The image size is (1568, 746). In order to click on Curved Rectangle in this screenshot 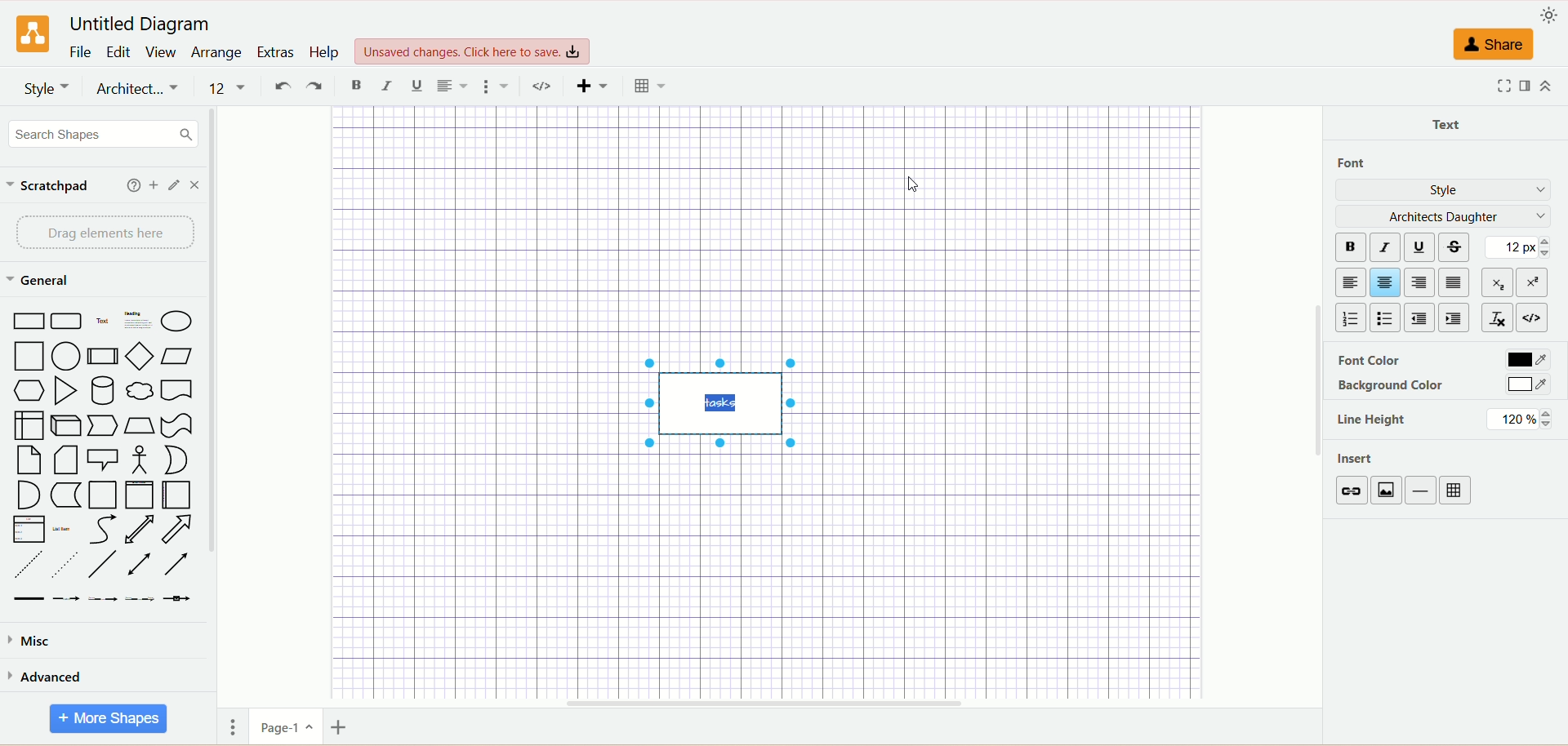, I will do `click(68, 322)`.